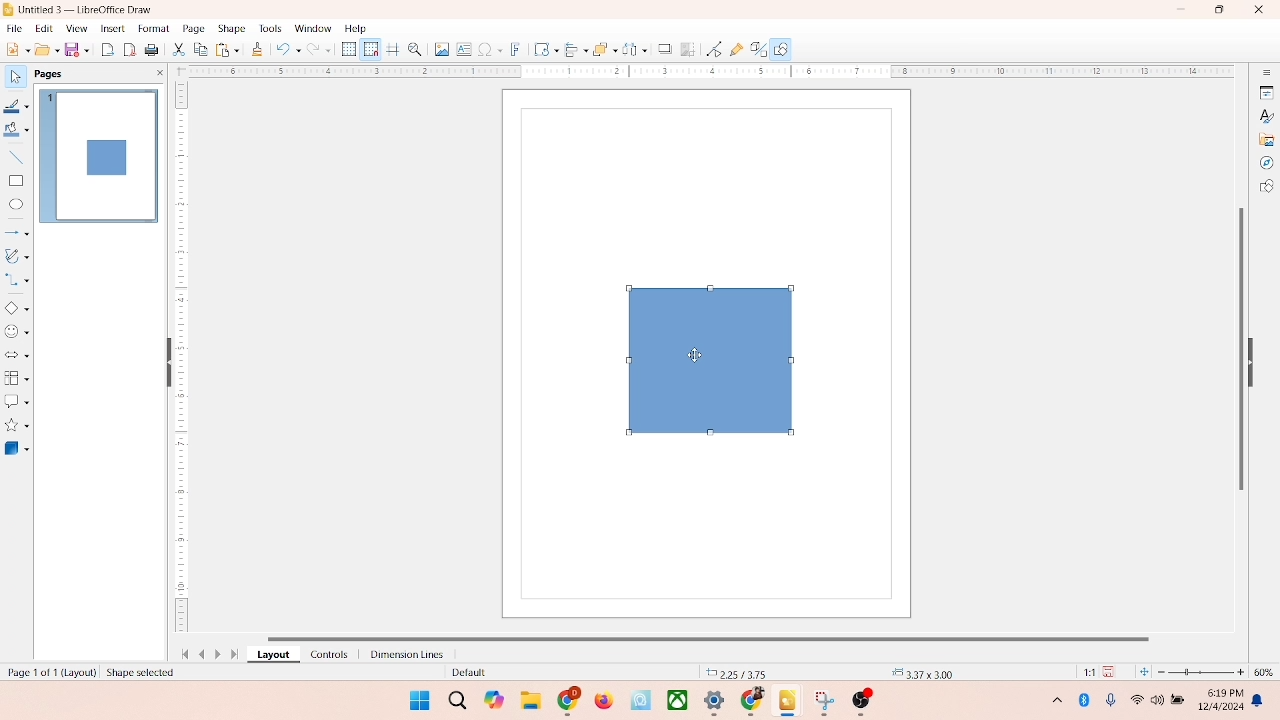 This screenshot has width=1280, height=720. I want to click on show grid, so click(348, 50).